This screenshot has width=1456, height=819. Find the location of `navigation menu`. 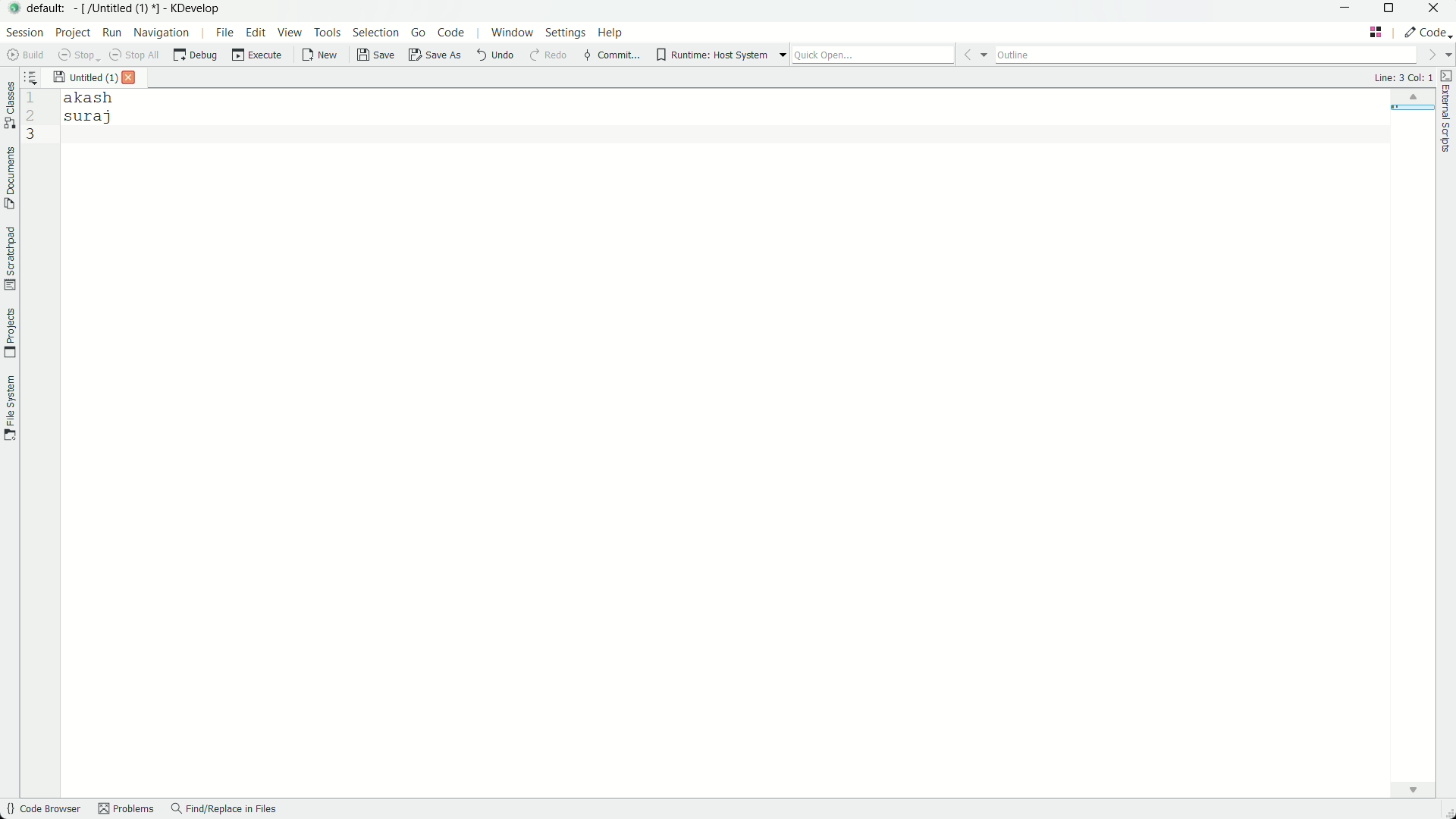

navigation menu is located at coordinates (169, 33).